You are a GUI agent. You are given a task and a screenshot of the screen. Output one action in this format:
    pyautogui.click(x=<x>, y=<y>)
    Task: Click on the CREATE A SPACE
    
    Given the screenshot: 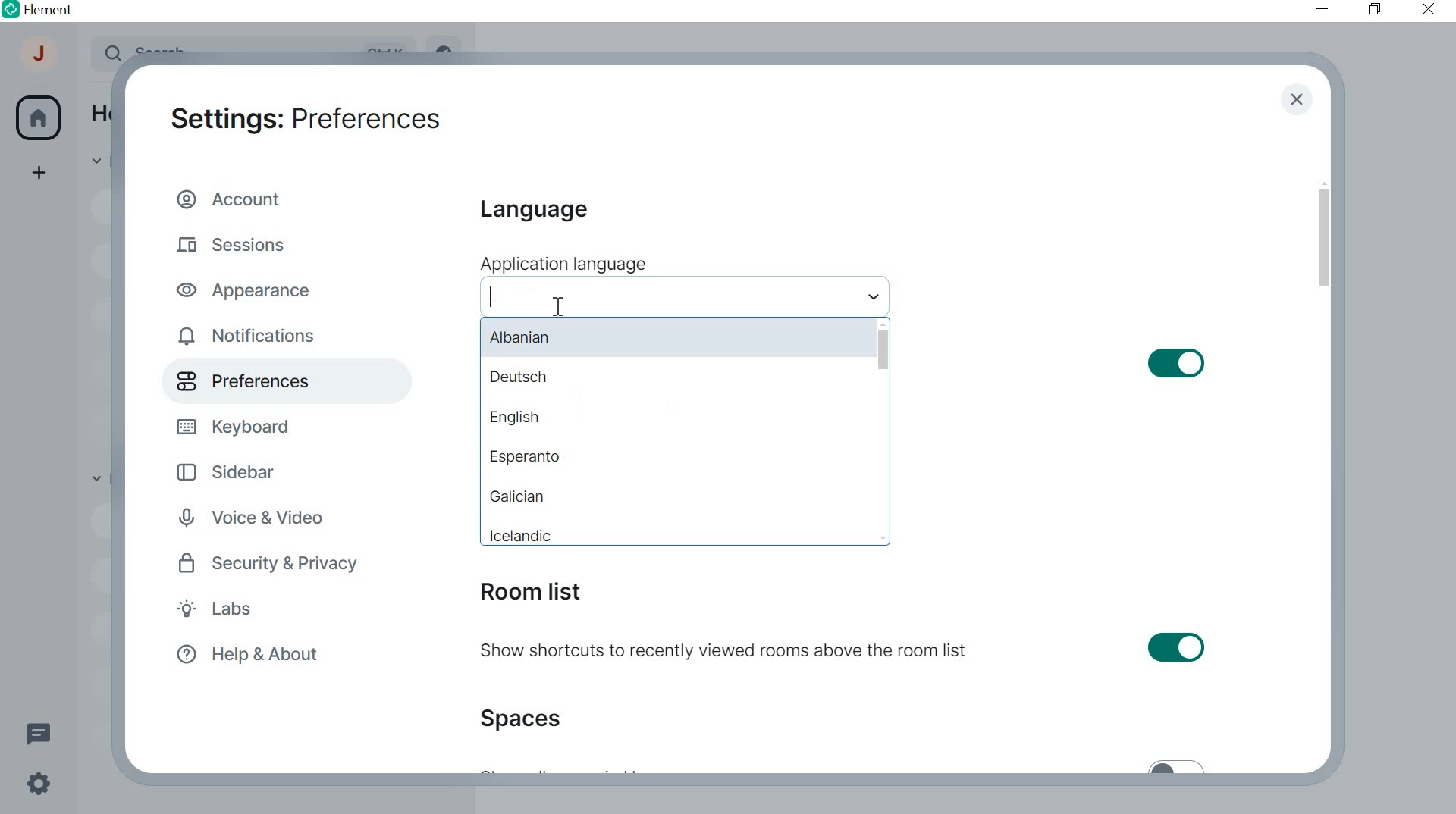 What is the action you would take?
    pyautogui.click(x=40, y=175)
    